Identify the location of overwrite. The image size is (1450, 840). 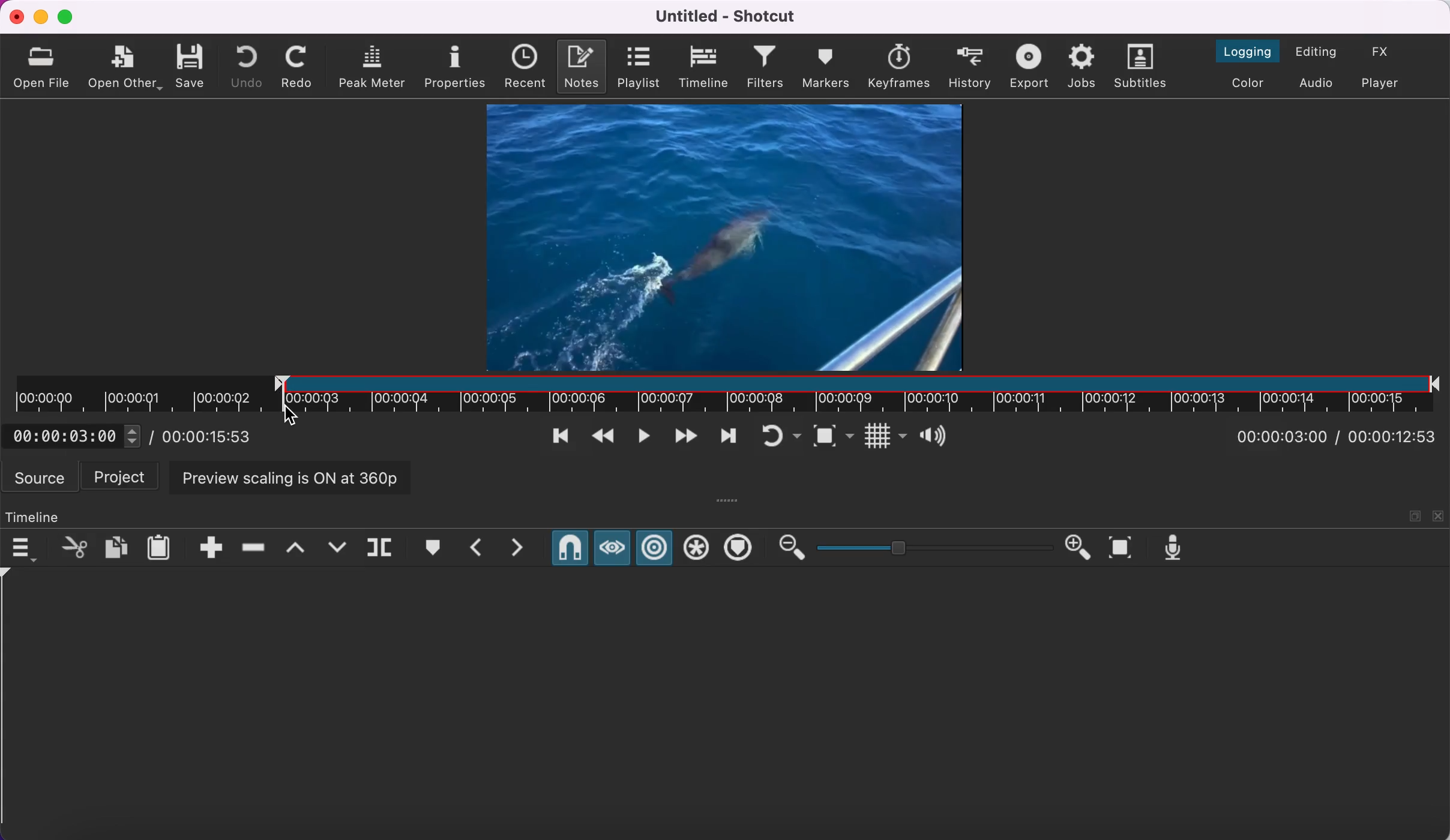
(336, 547).